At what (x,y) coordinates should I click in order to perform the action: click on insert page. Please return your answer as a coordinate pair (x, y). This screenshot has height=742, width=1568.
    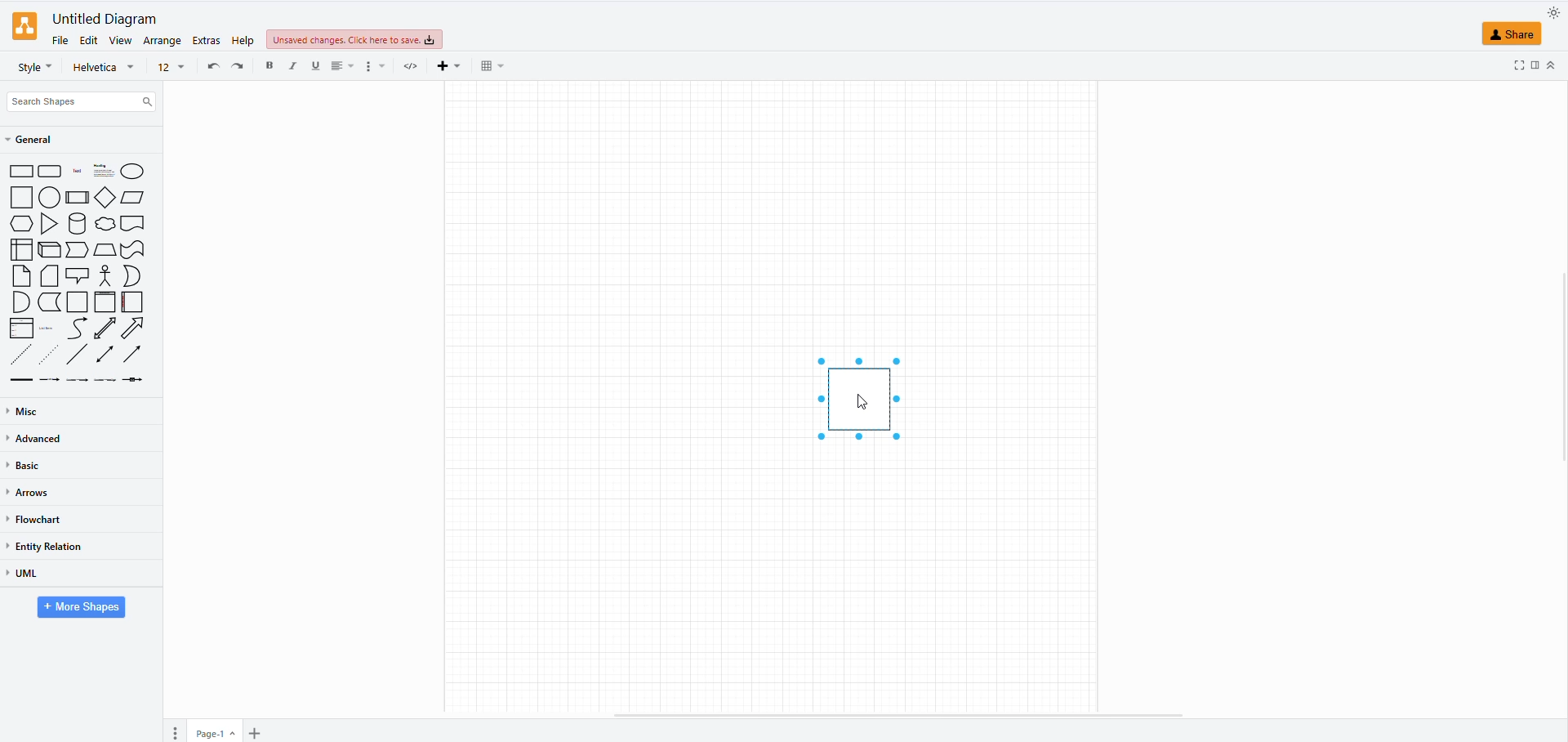
    Looking at the image, I should click on (253, 733).